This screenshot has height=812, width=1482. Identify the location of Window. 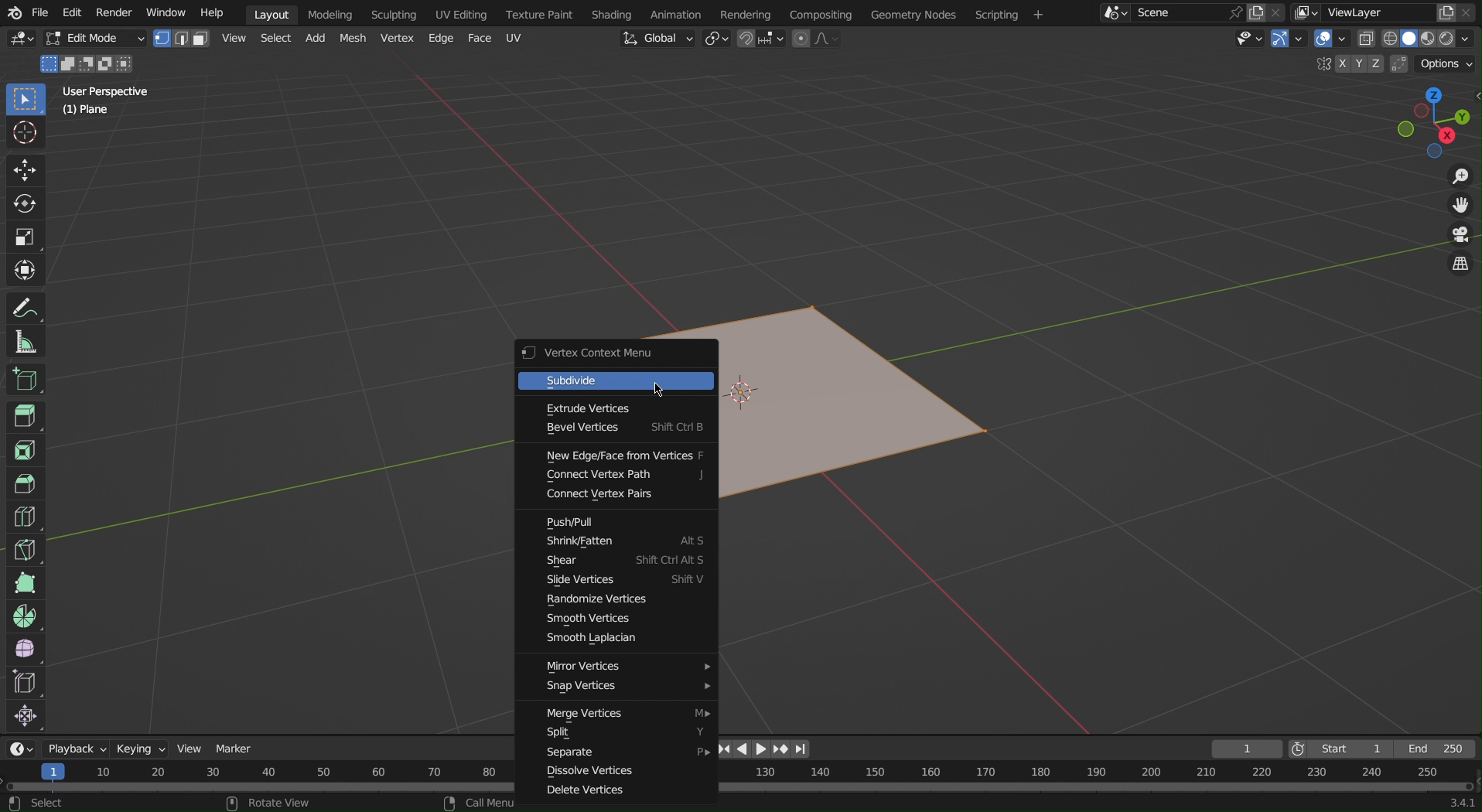
(166, 12).